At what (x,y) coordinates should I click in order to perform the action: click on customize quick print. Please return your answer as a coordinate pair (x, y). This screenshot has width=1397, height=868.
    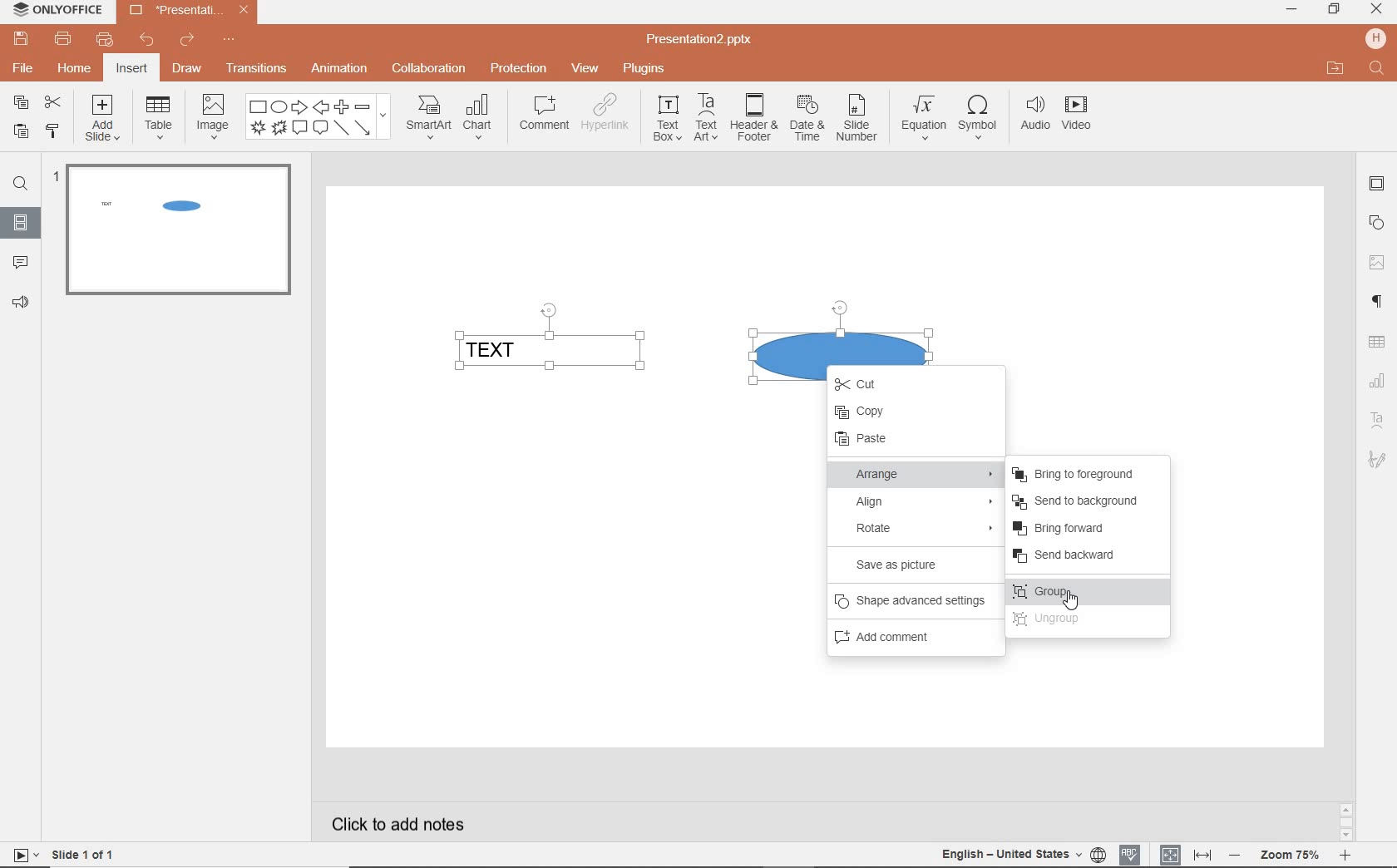
    Looking at the image, I should click on (102, 40).